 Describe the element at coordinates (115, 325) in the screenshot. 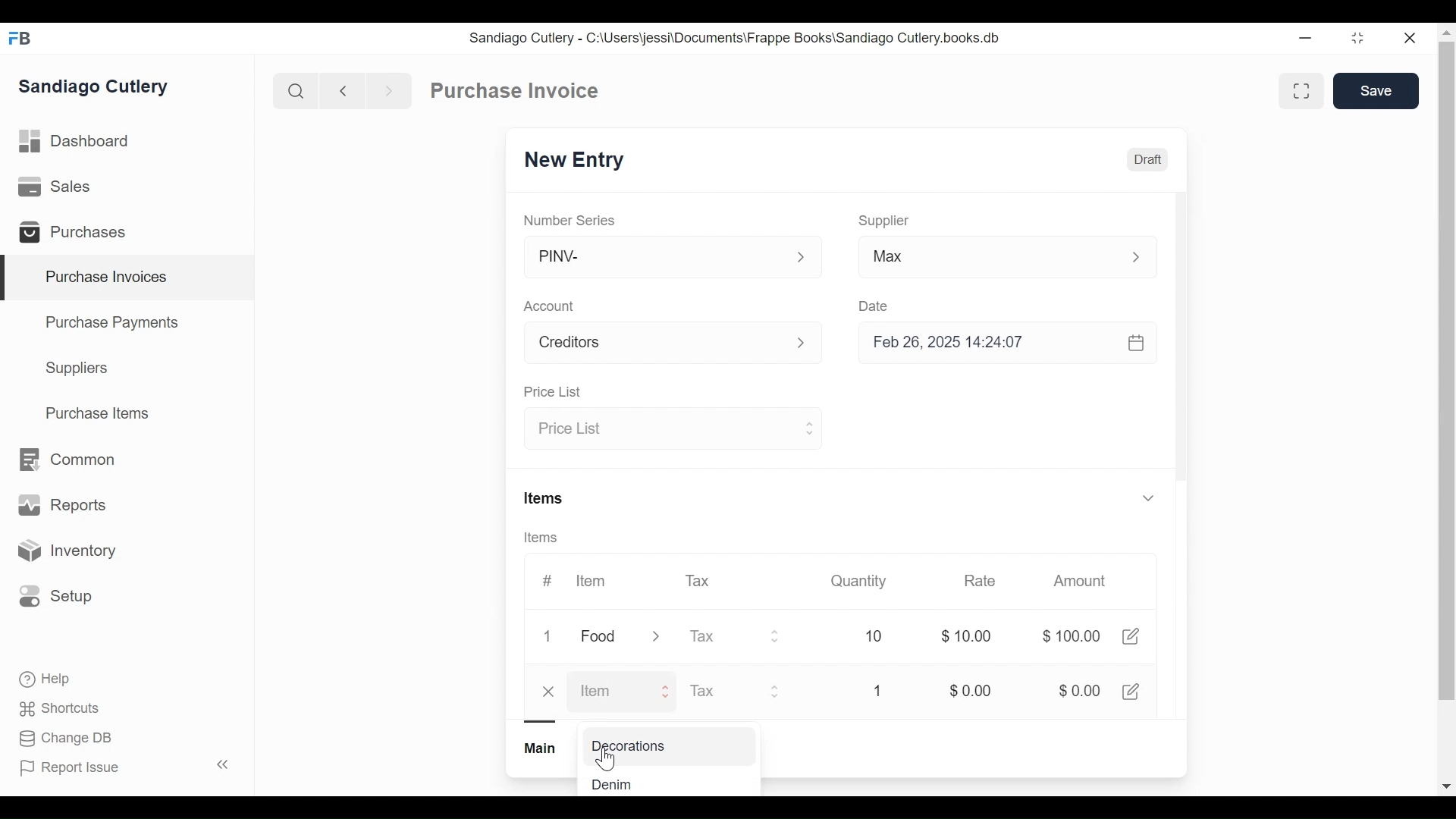

I see `Purchase Payments` at that location.